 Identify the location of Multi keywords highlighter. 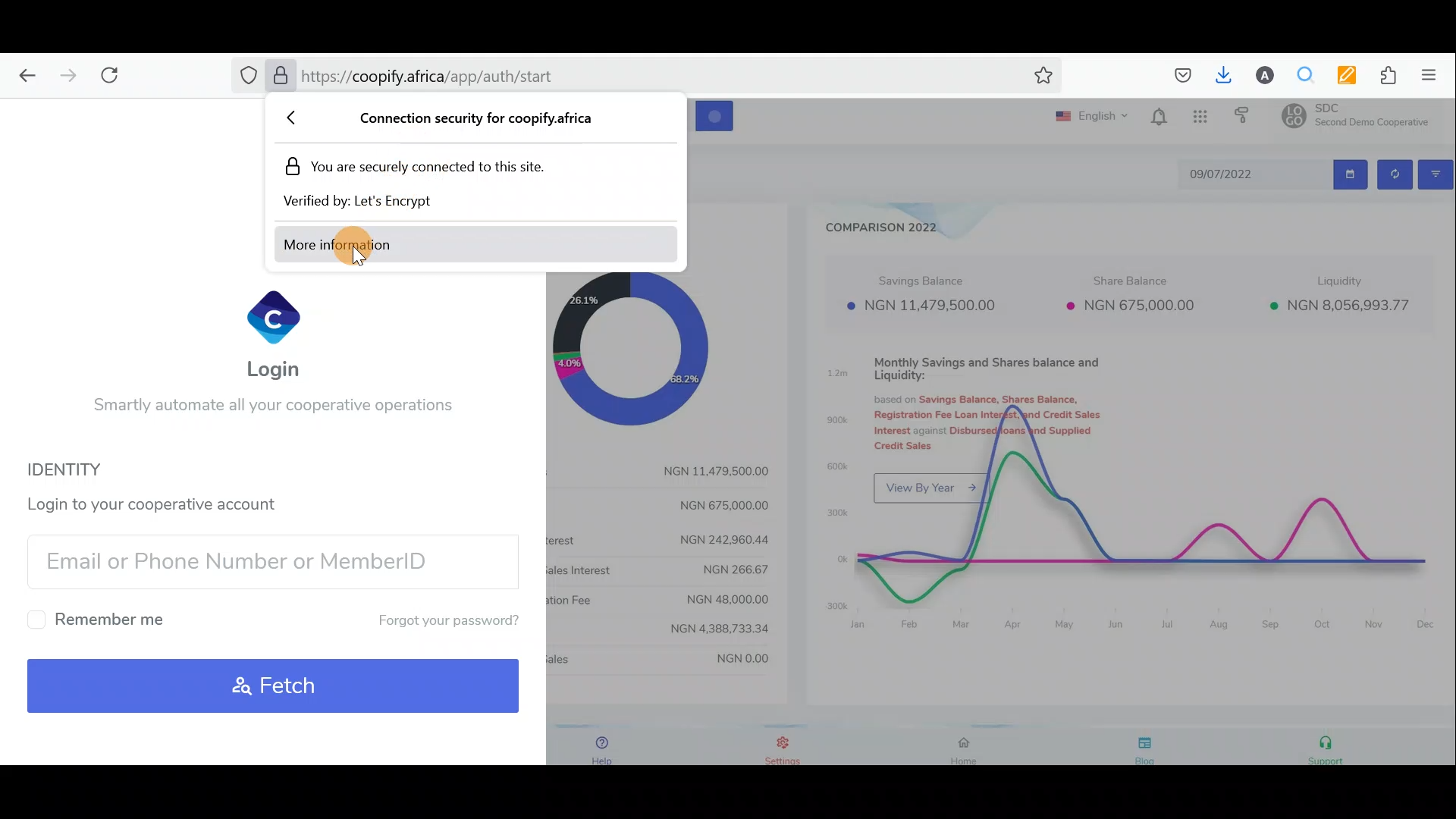
(1340, 75).